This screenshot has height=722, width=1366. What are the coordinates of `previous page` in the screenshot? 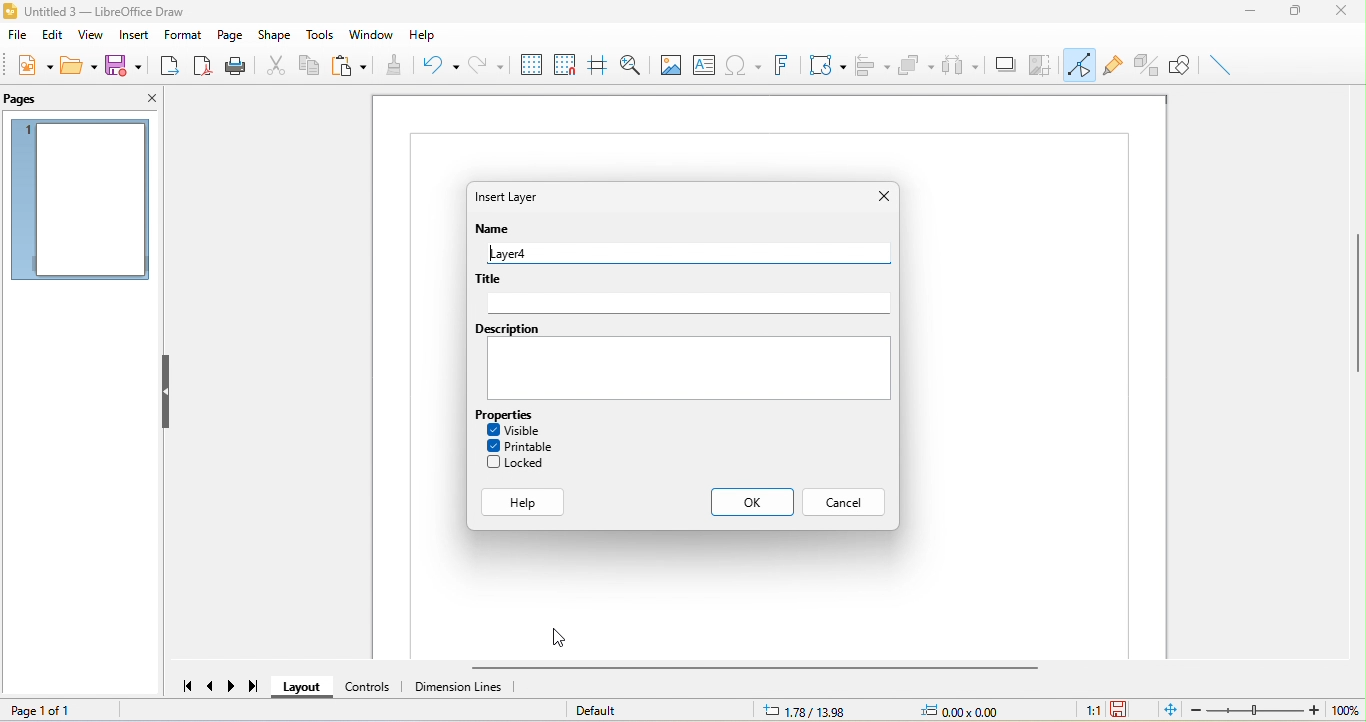 It's located at (211, 688).